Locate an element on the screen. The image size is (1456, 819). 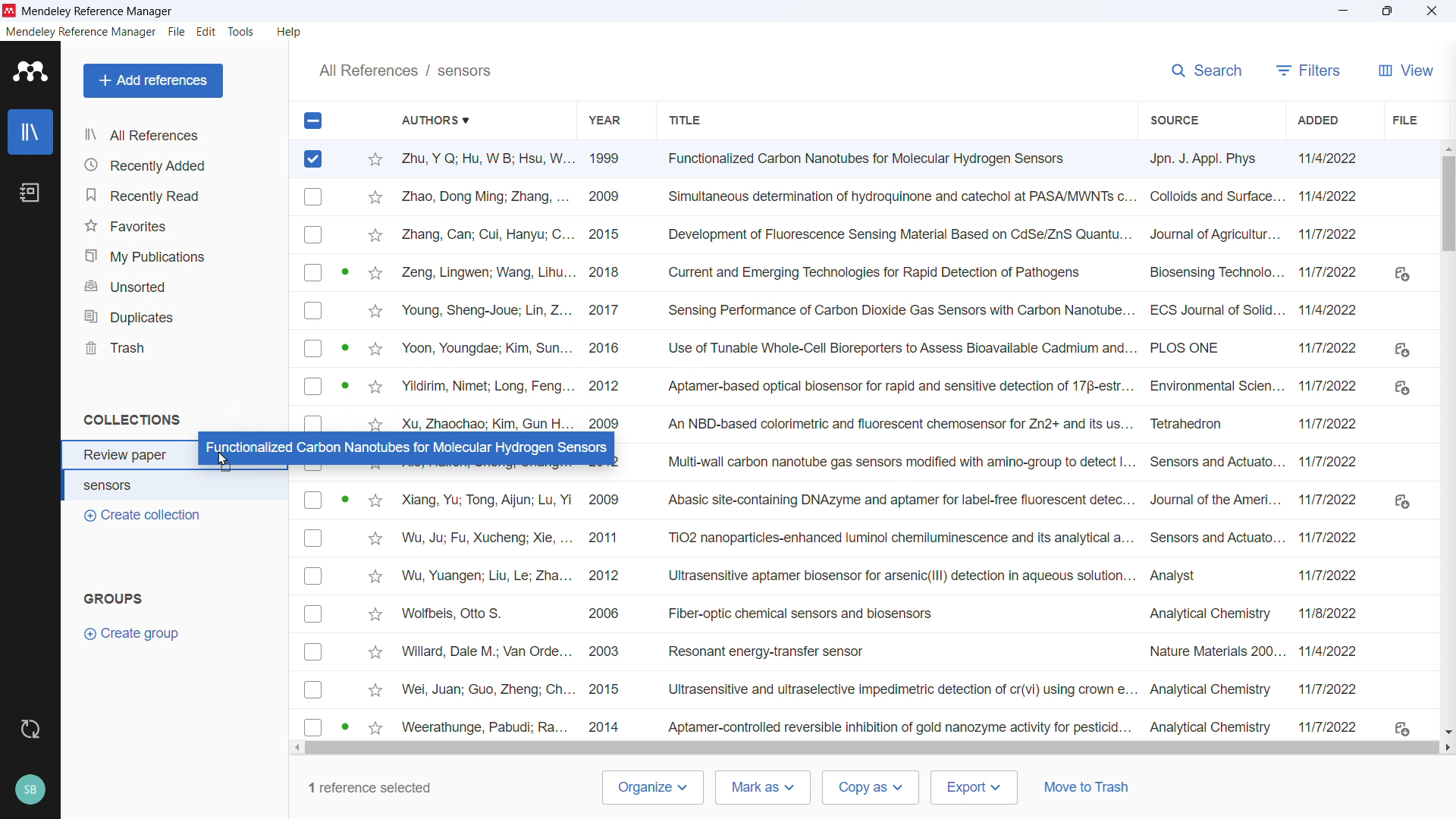
File  is located at coordinates (177, 32).